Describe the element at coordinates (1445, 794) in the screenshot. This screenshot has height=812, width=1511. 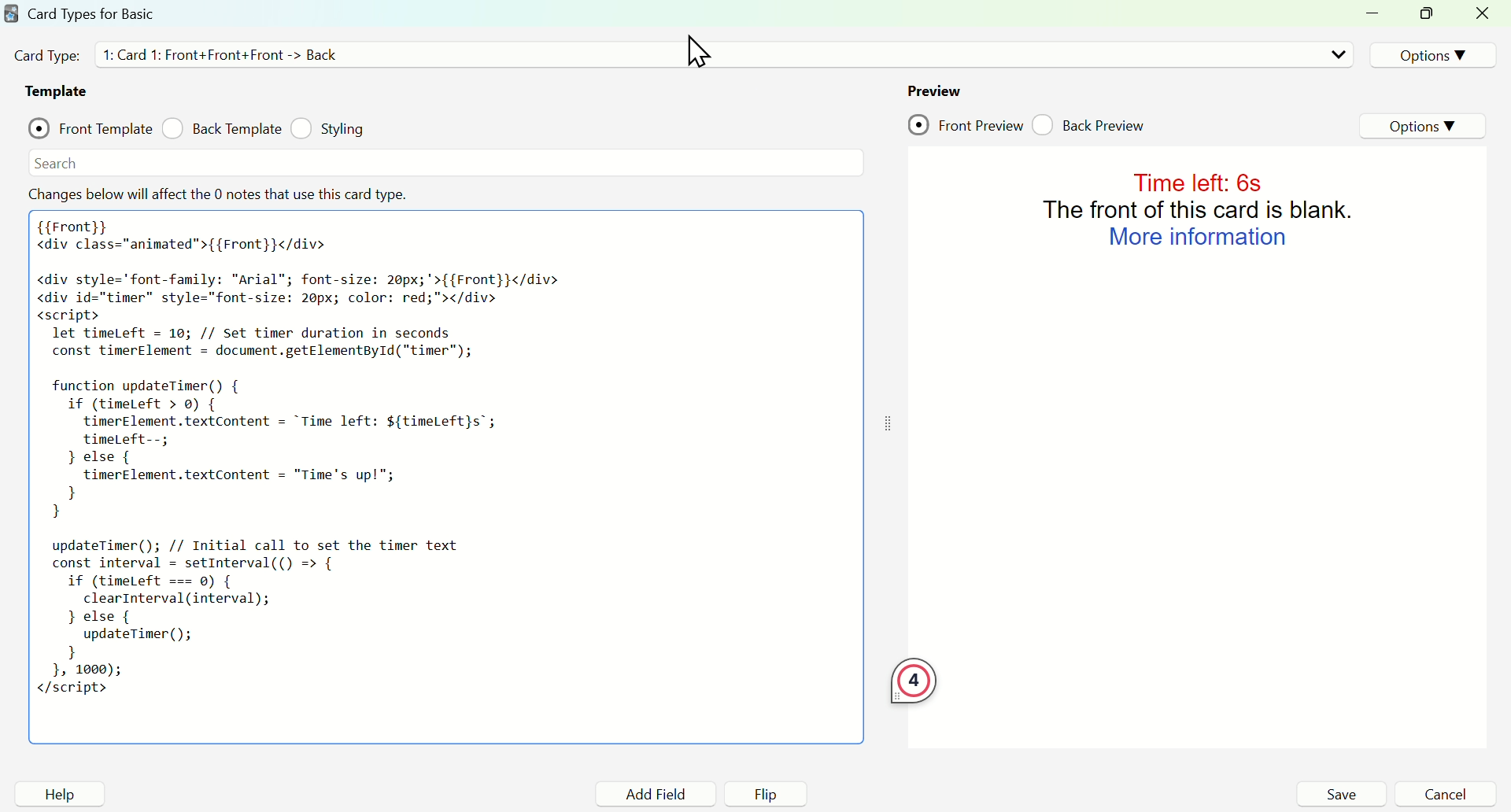
I see `cancel` at that location.